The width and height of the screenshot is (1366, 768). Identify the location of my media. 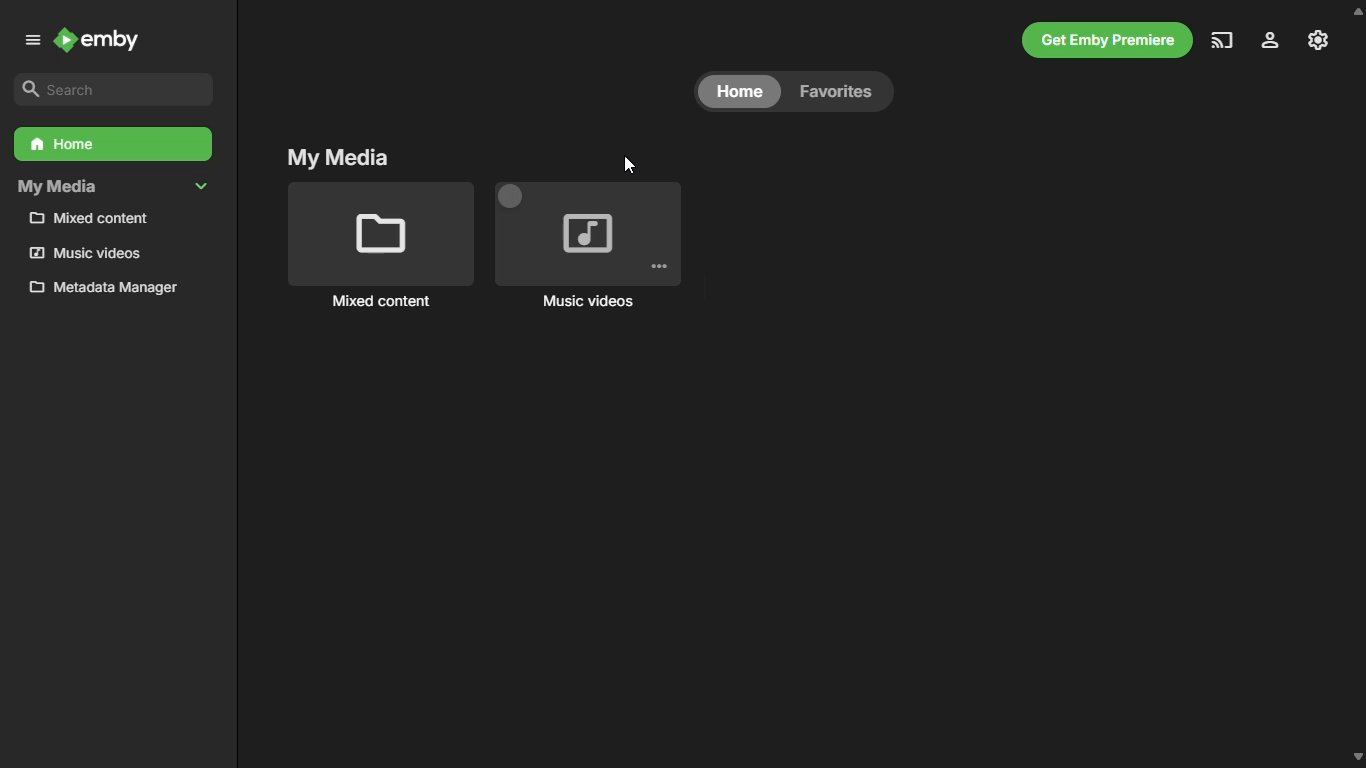
(338, 155).